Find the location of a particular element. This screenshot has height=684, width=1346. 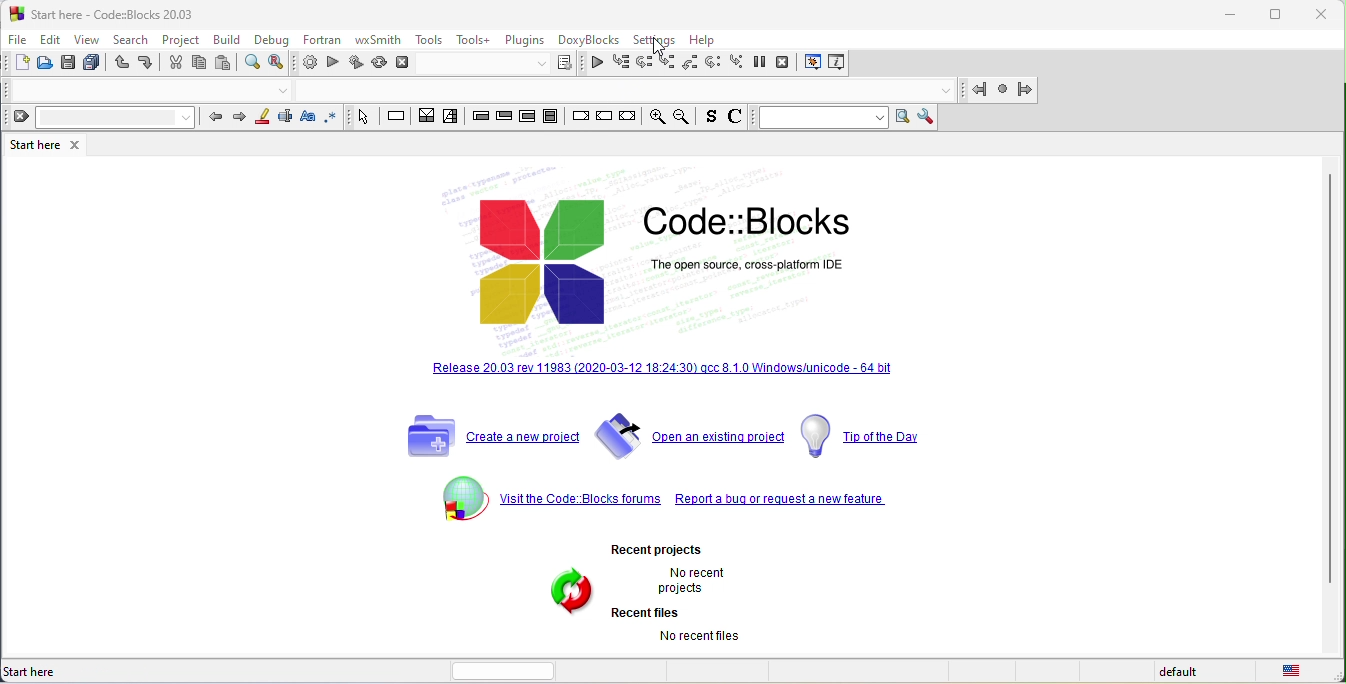

project is located at coordinates (179, 39).